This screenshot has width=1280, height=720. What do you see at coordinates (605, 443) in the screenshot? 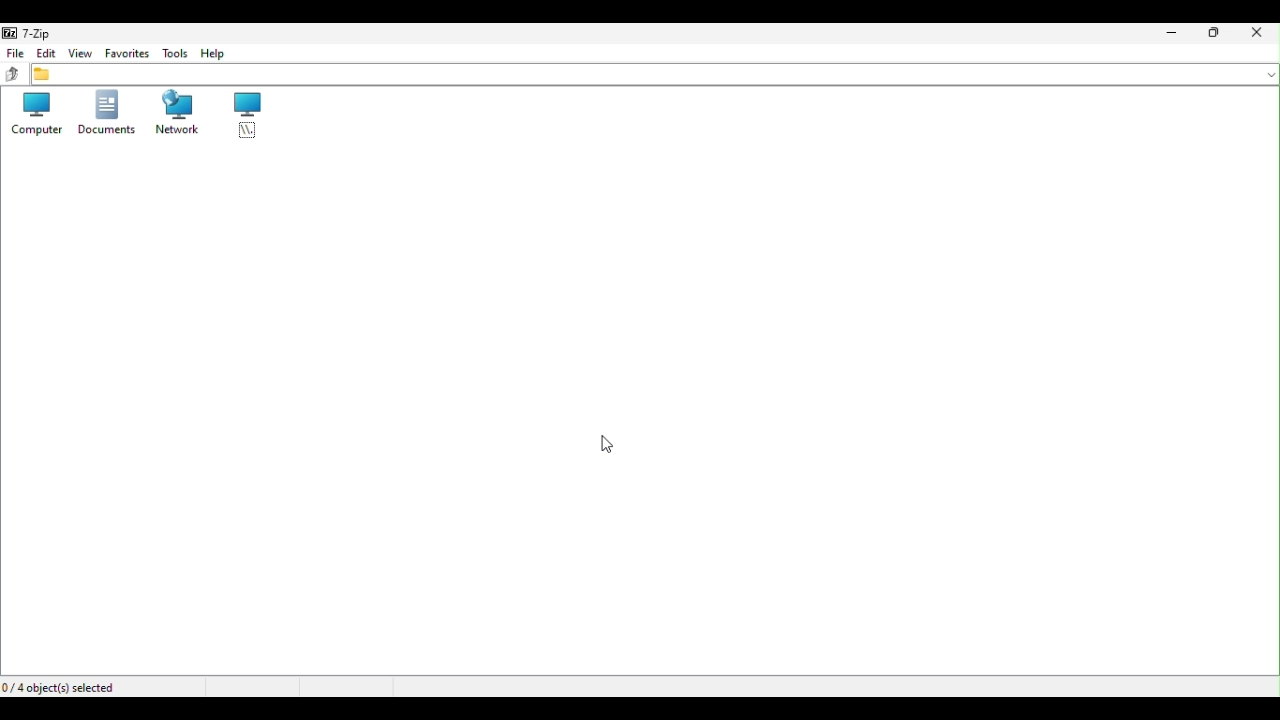
I see `cursor` at bounding box center [605, 443].